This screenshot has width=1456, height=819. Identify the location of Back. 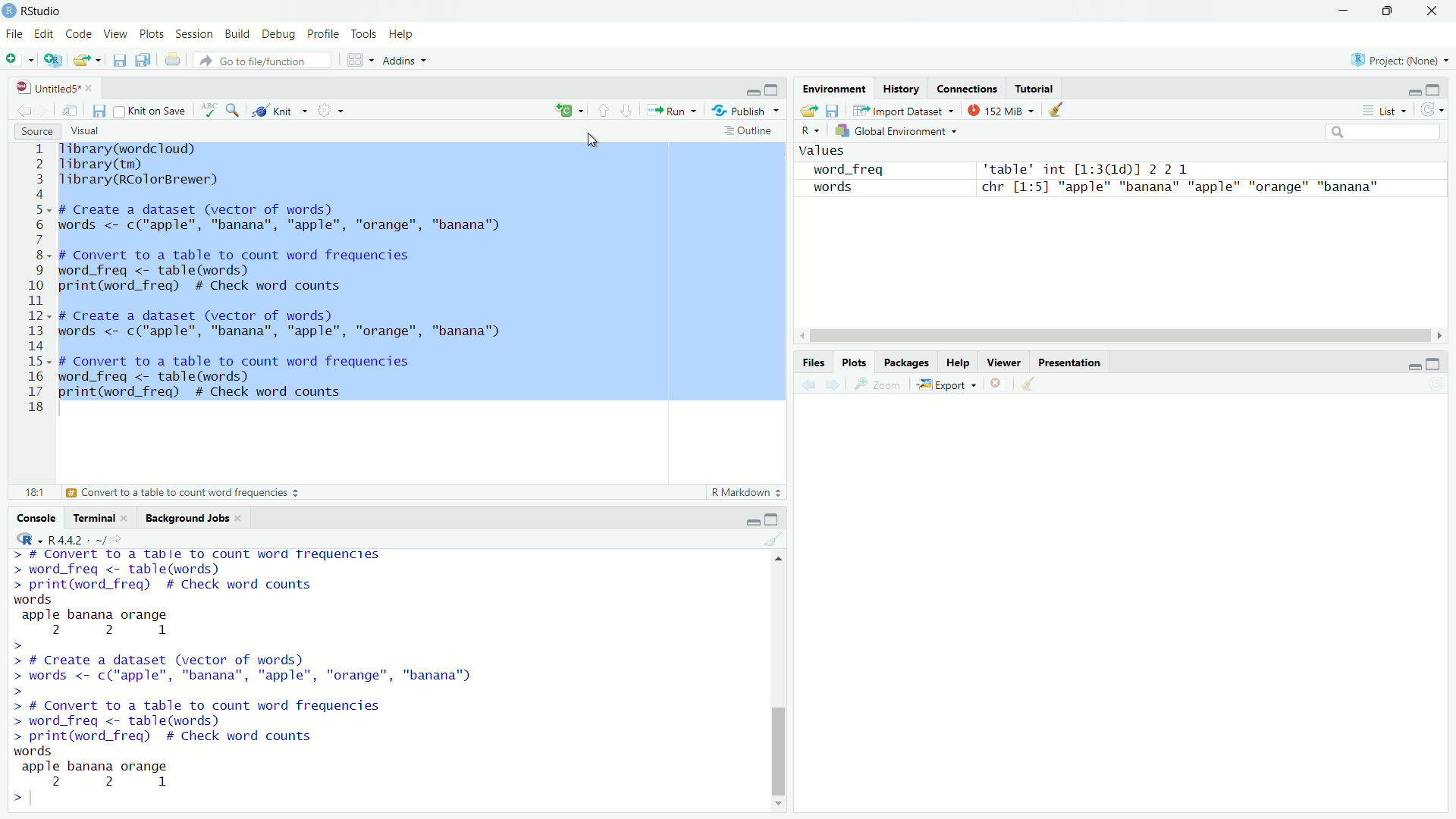
(805, 384).